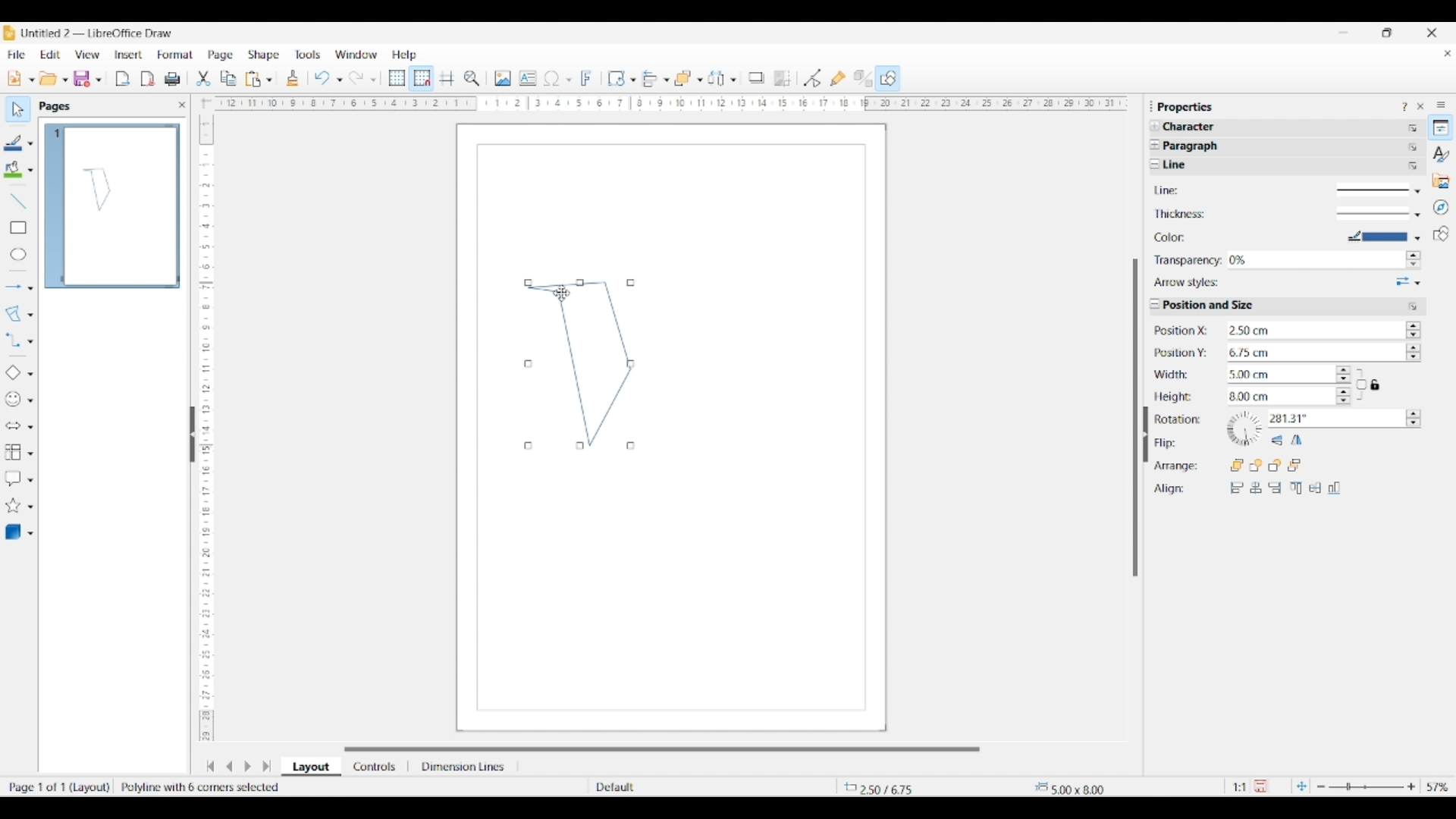 This screenshot has height=819, width=1456. I want to click on Edit, so click(50, 55).